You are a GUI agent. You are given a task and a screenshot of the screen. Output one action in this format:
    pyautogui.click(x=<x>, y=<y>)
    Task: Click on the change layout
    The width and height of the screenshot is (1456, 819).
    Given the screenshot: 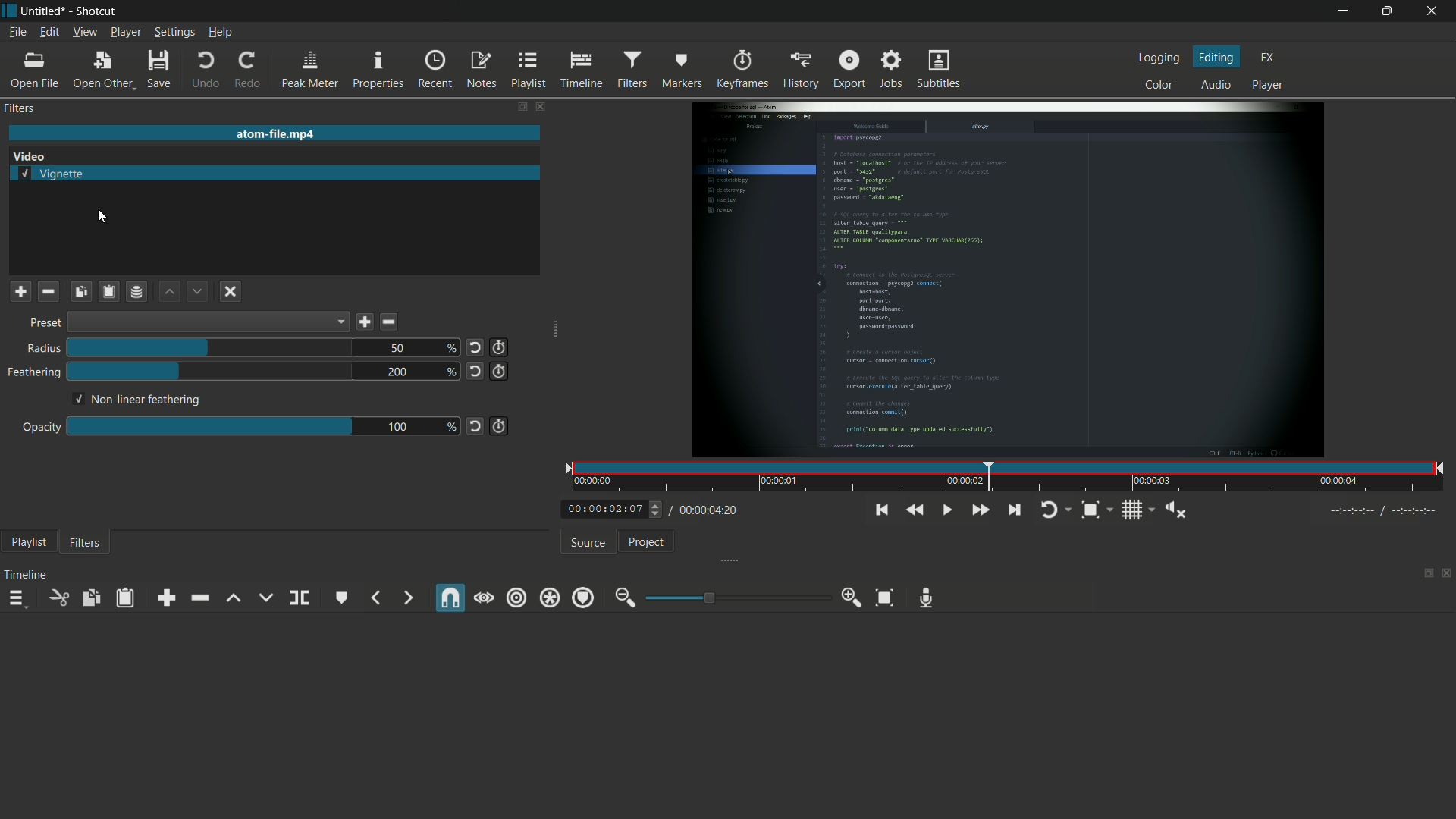 What is the action you would take?
    pyautogui.click(x=521, y=108)
    